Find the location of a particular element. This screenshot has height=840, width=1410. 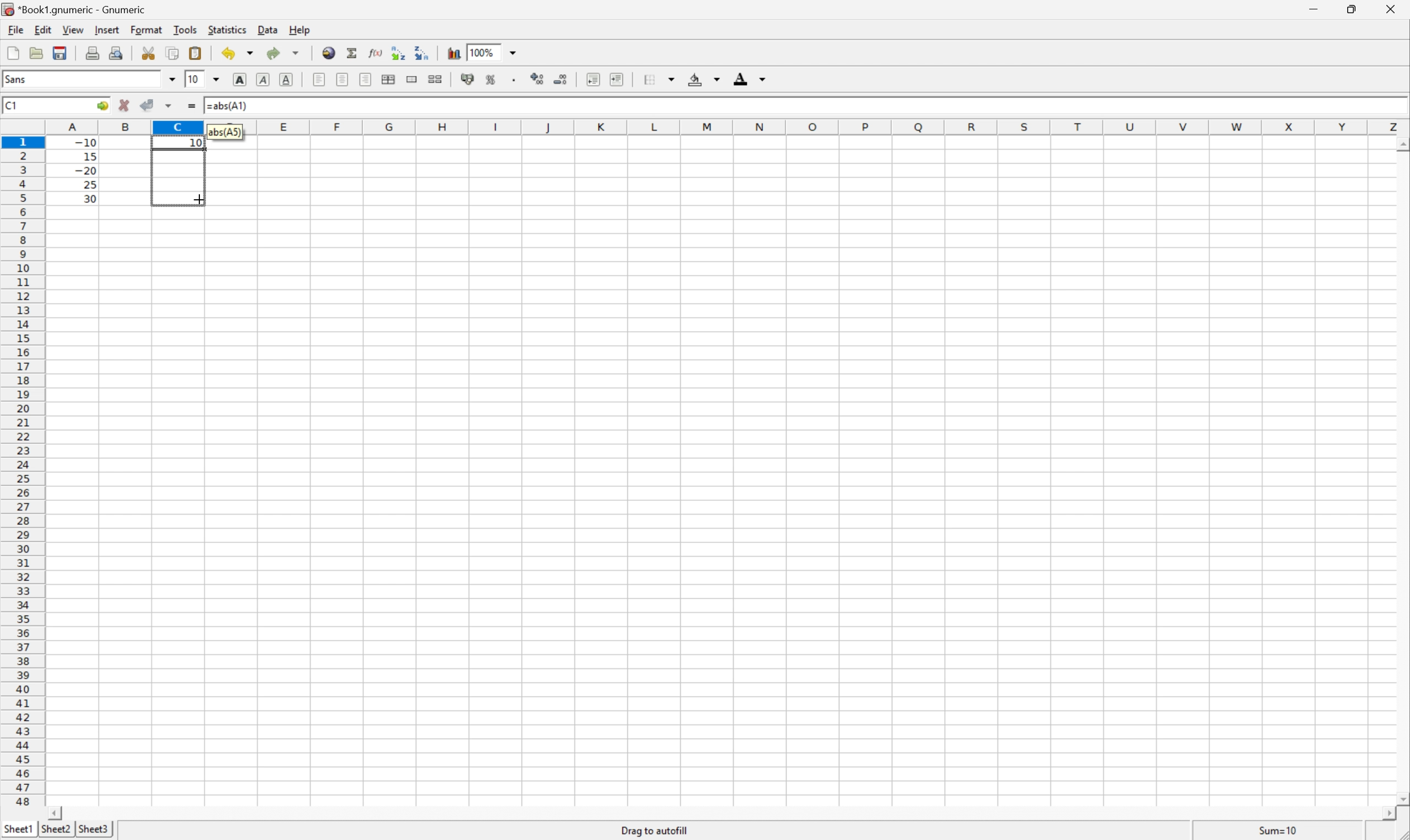

Increase indent, and align the content to the left is located at coordinates (615, 79).